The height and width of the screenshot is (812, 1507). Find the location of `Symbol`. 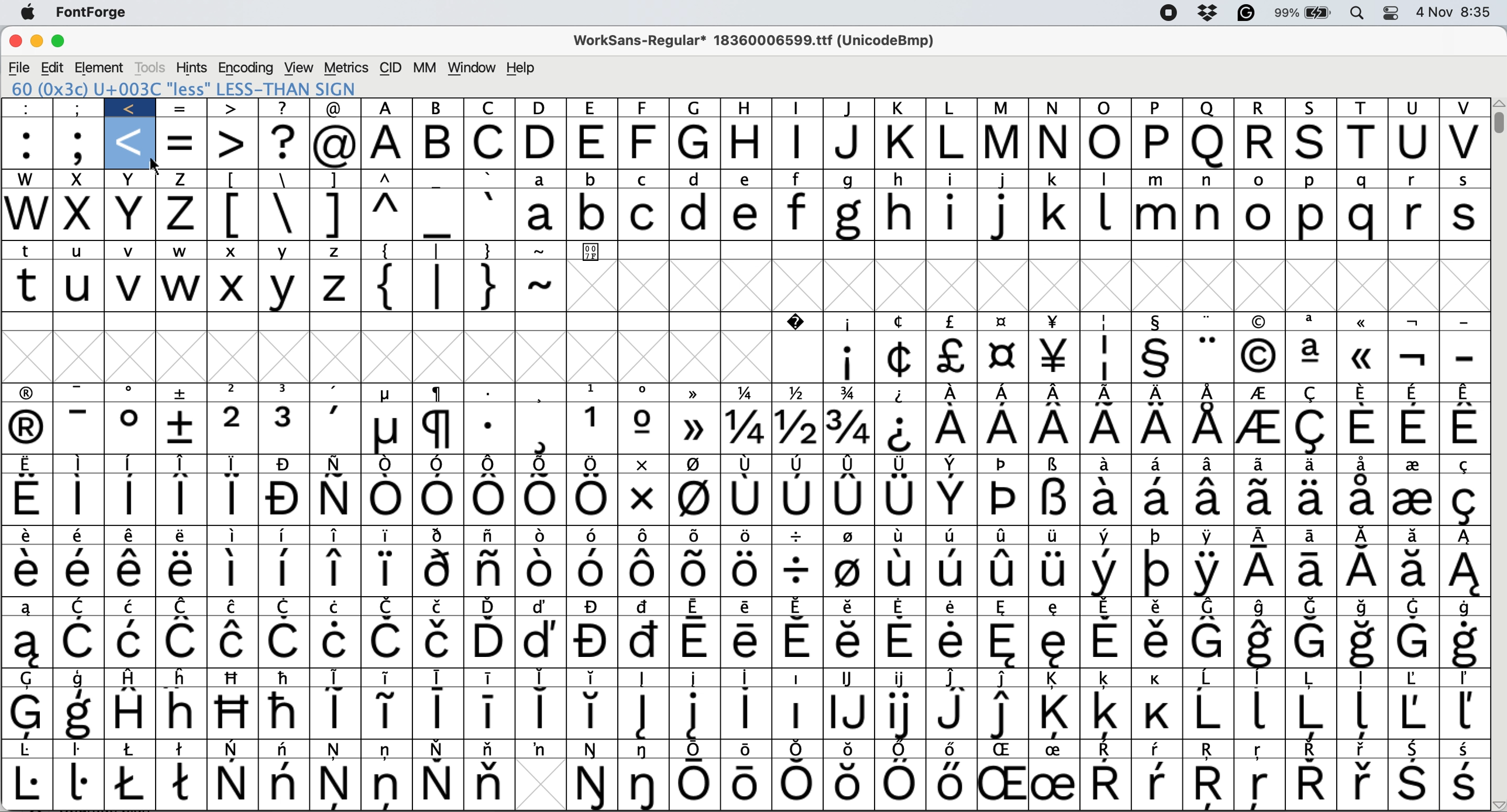

Symbol is located at coordinates (1414, 322).